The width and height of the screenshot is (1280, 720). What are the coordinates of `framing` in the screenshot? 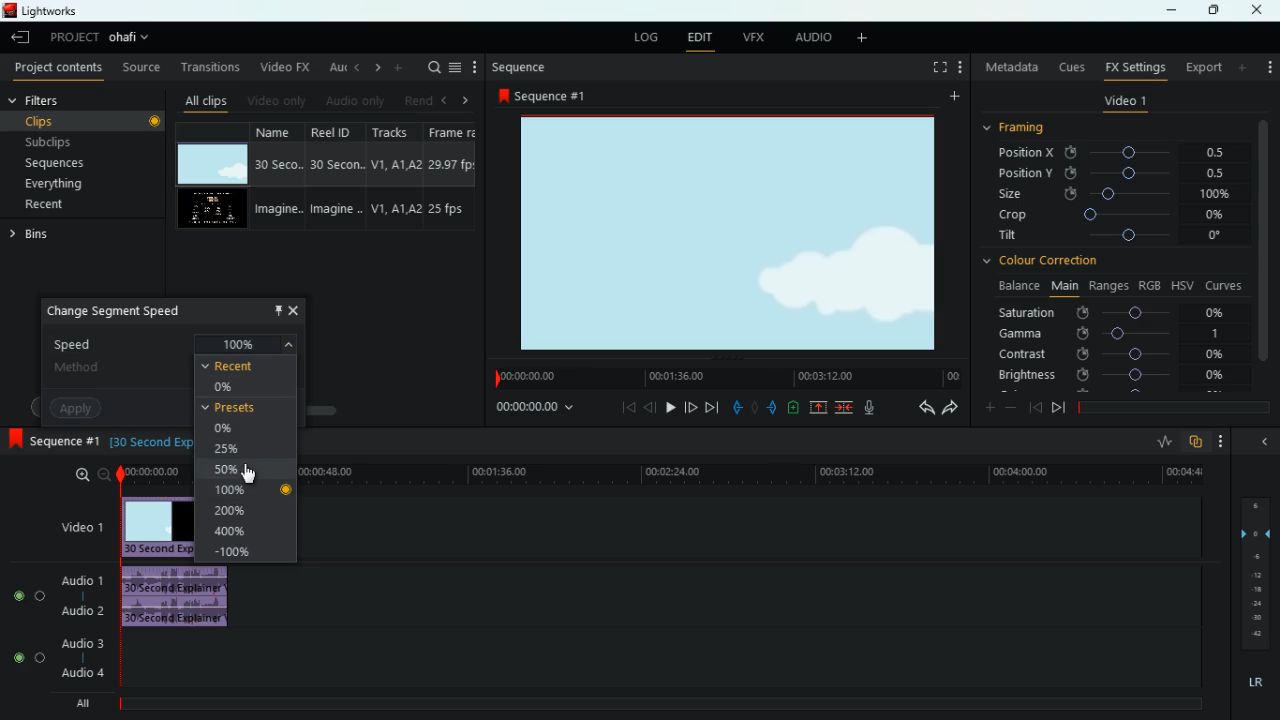 It's located at (1026, 129).